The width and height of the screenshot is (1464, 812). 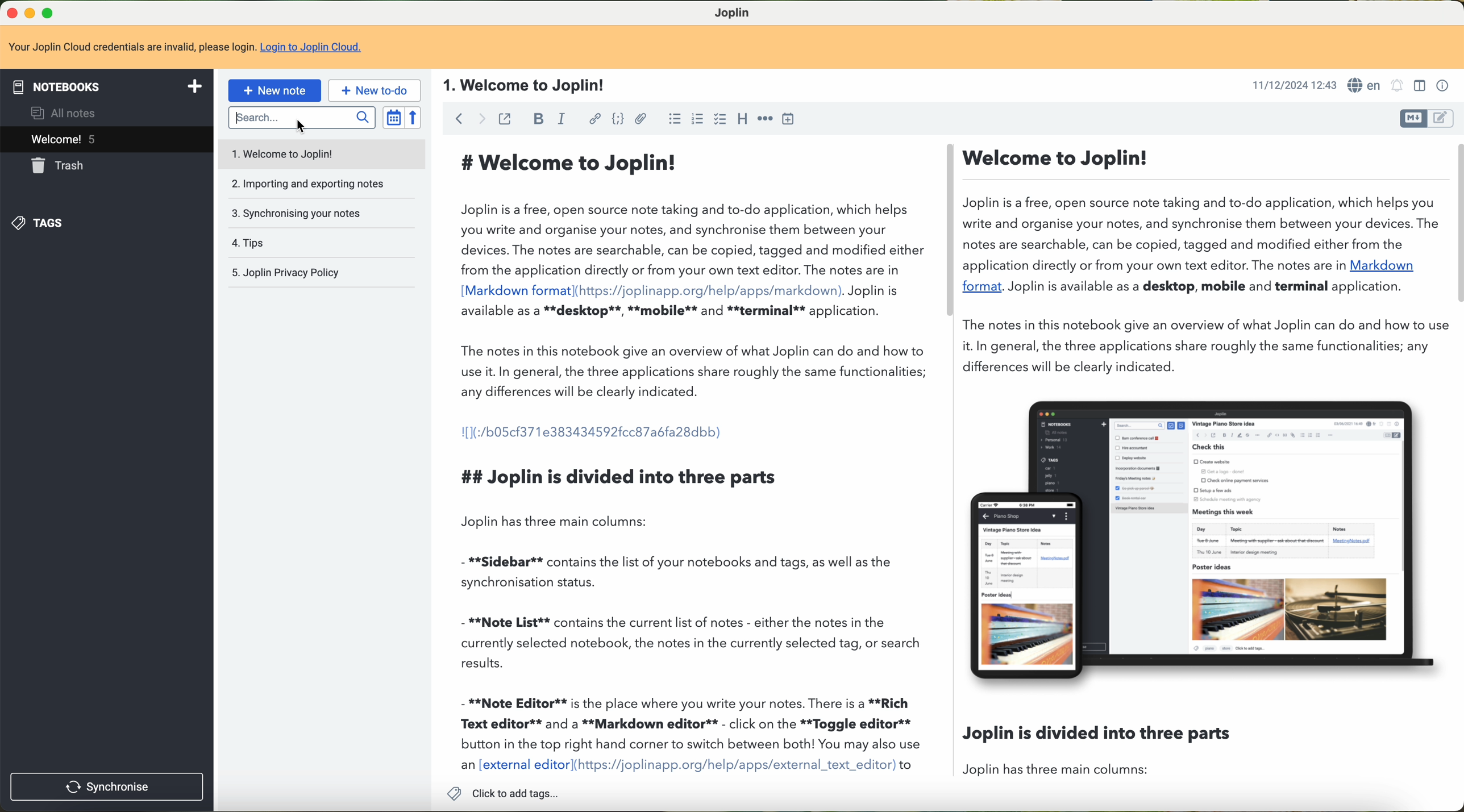 I want to click on new note, so click(x=275, y=90).